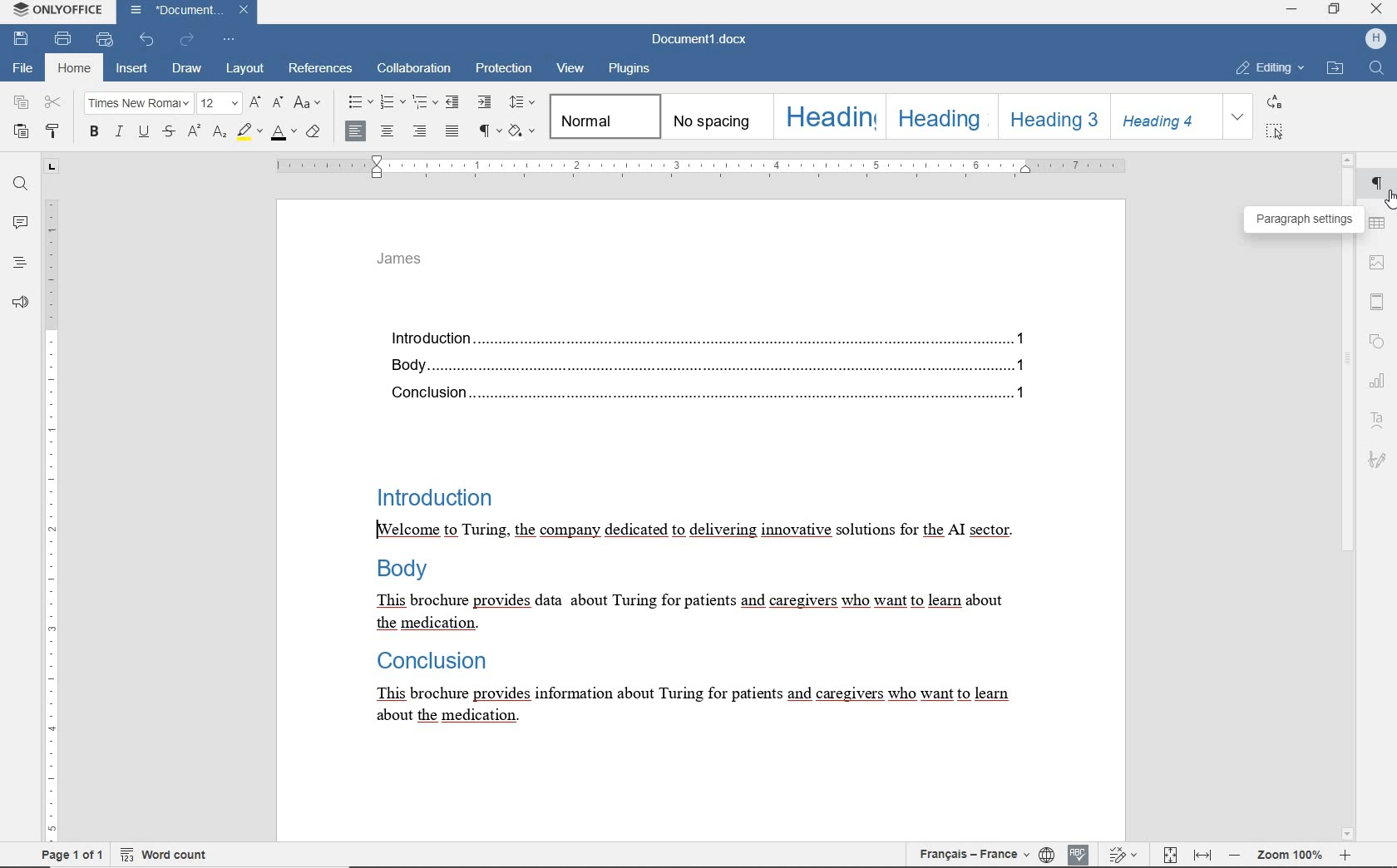 This screenshot has width=1397, height=868. Describe the element at coordinates (25, 70) in the screenshot. I see `file` at that location.